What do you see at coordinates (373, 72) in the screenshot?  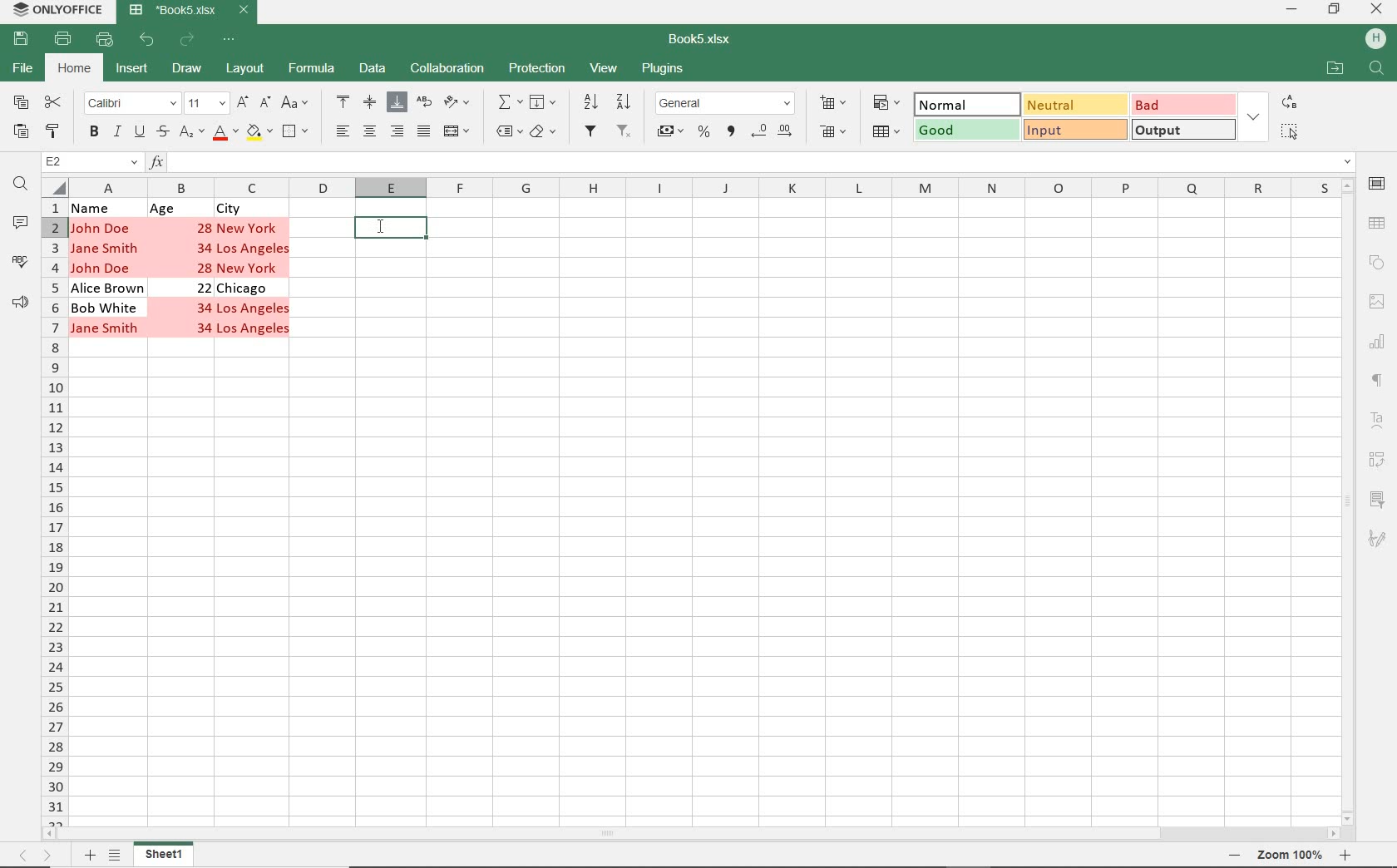 I see `DATA` at bounding box center [373, 72].